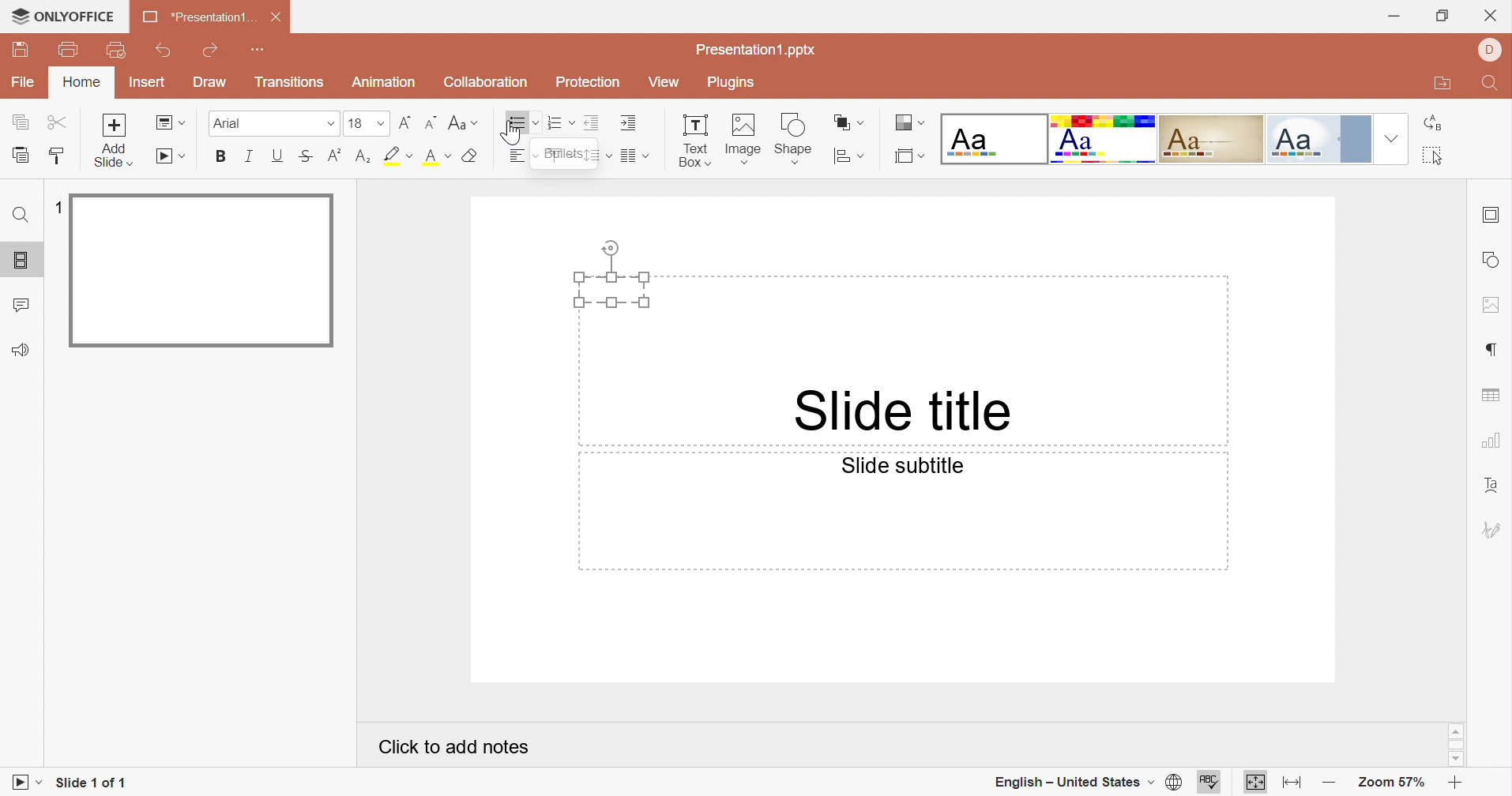 The image size is (1512, 796). What do you see at coordinates (1256, 783) in the screenshot?
I see `Fit to slide` at bounding box center [1256, 783].